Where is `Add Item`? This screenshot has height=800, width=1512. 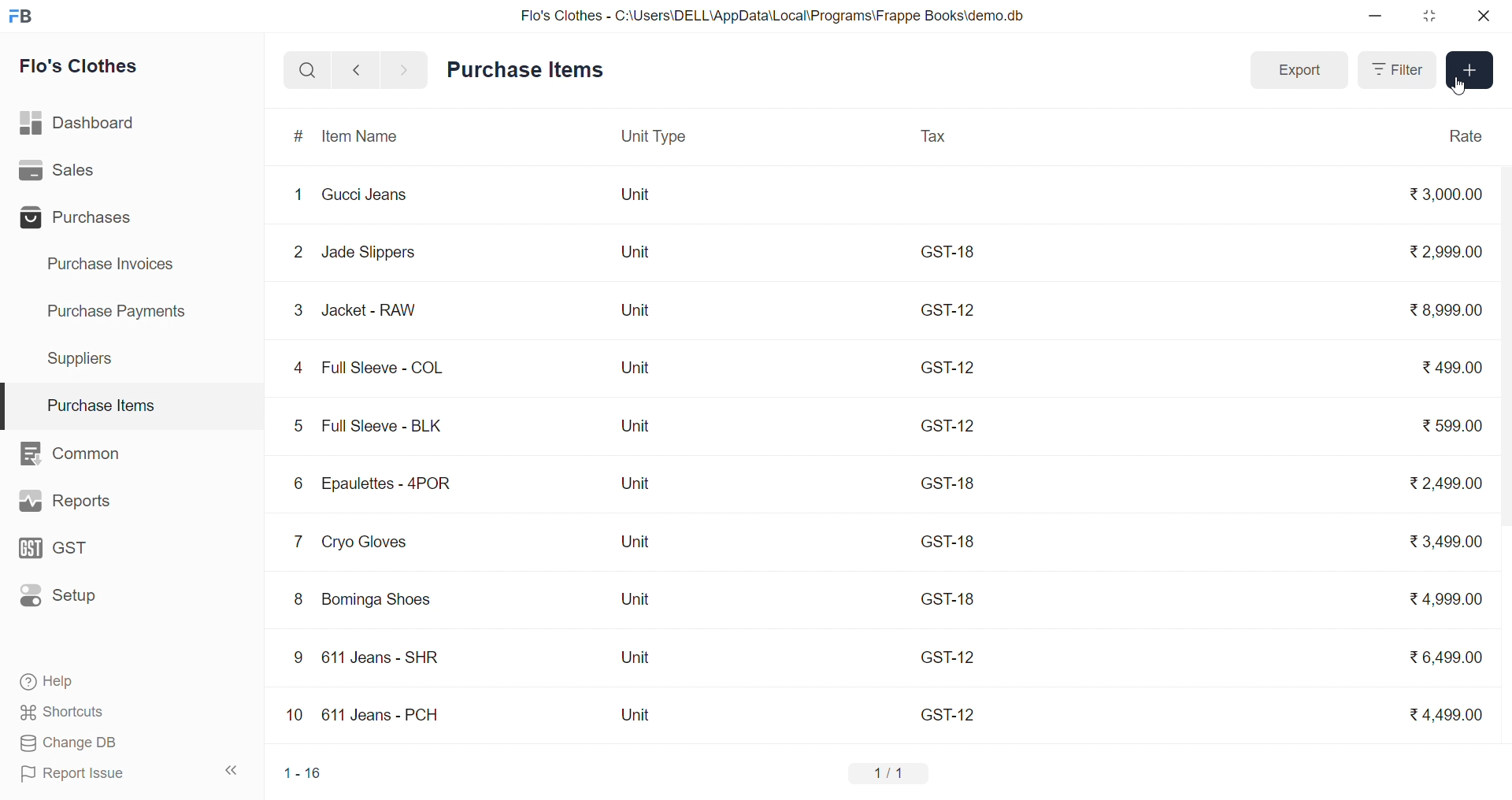
Add Item is located at coordinates (1466, 71).